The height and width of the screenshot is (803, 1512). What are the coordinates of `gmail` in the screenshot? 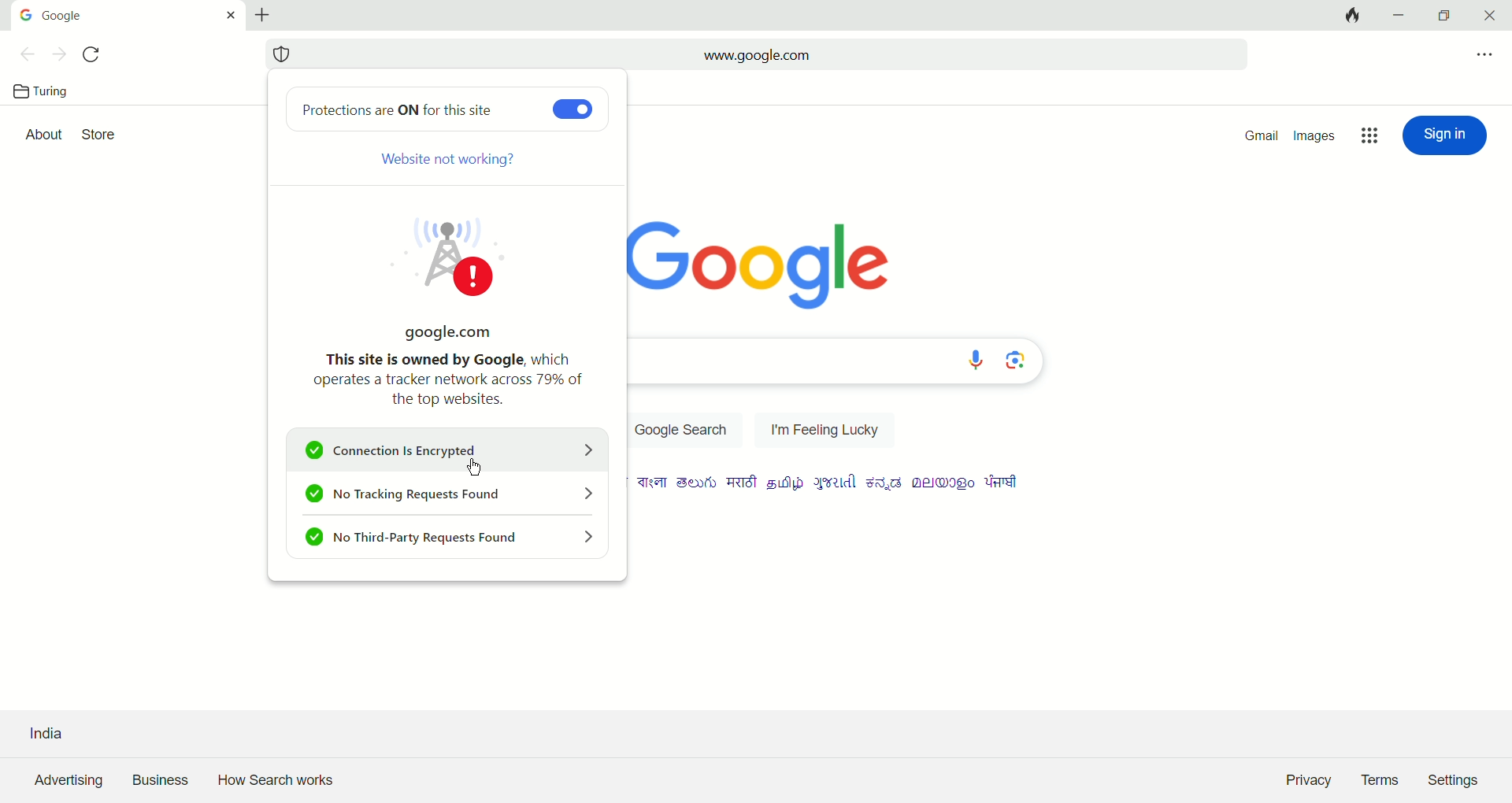 It's located at (1263, 135).